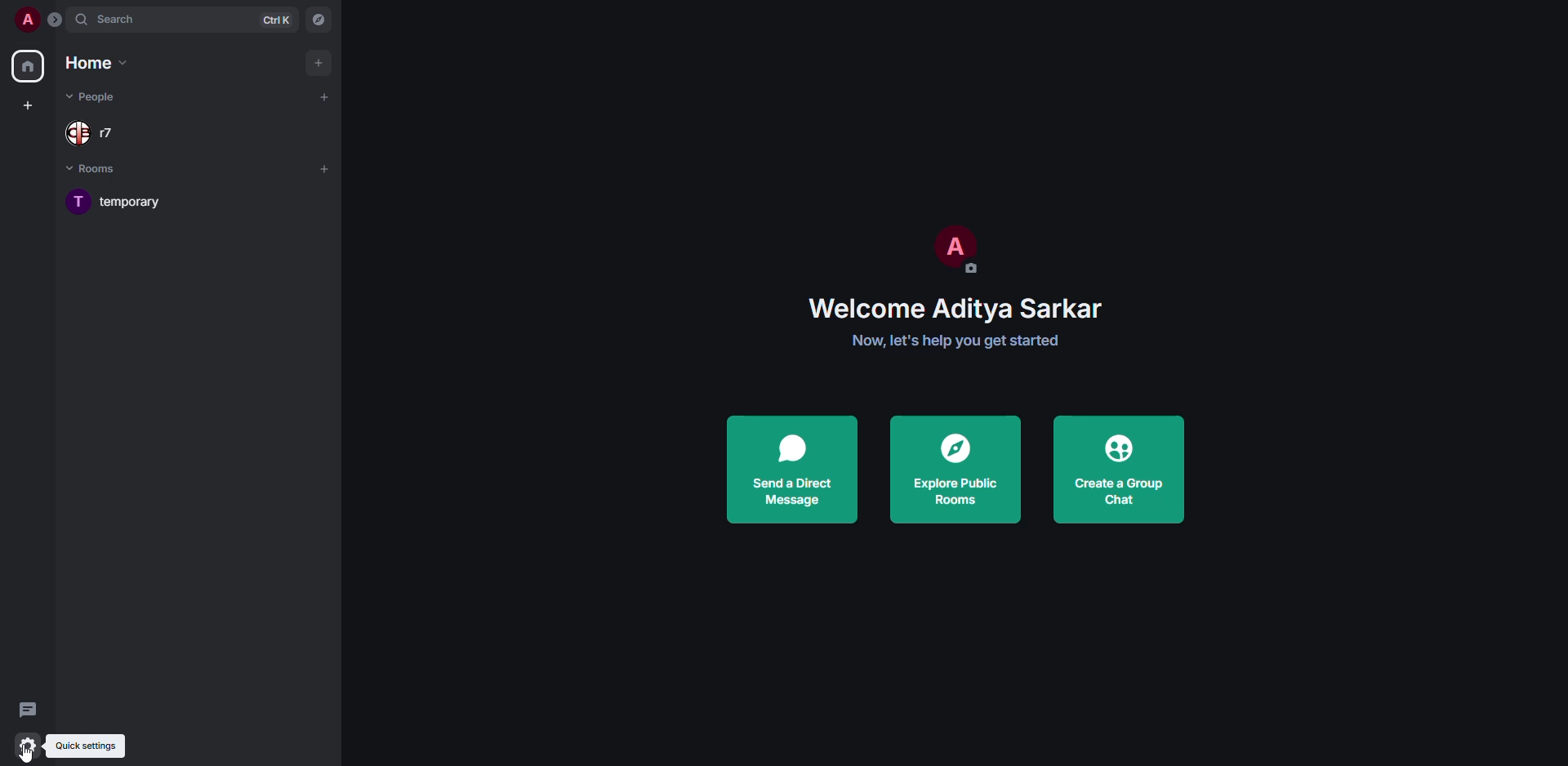 Image resolution: width=1568 pixels, height=766 pixels. What do you see at coordinates (1119, 471) in the screenshot?
I see `create a group chat` at bounding box center [1119, 471].